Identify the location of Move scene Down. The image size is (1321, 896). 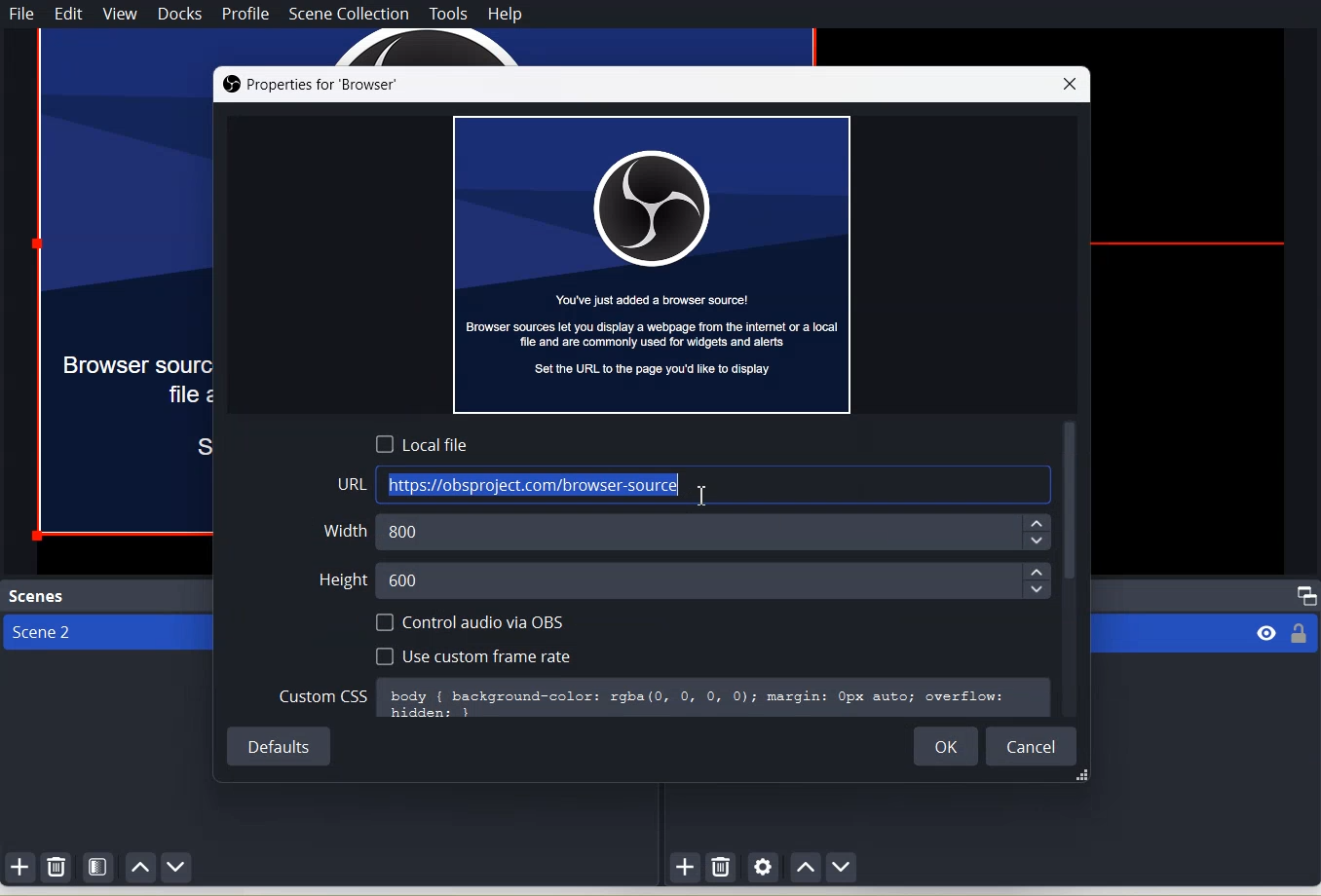
(177, 867).